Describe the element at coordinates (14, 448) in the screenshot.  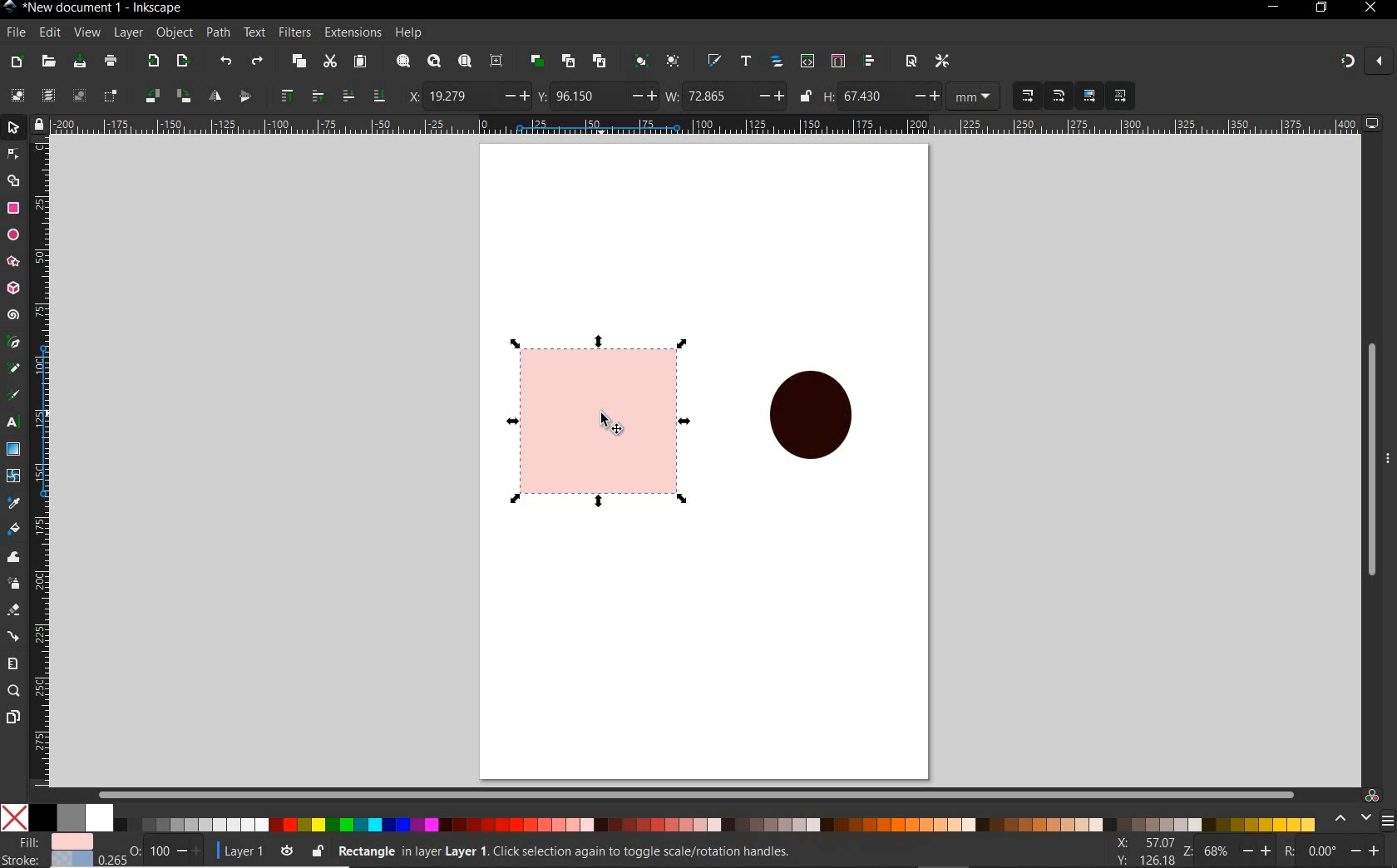
I see `gradient tool` at that location.